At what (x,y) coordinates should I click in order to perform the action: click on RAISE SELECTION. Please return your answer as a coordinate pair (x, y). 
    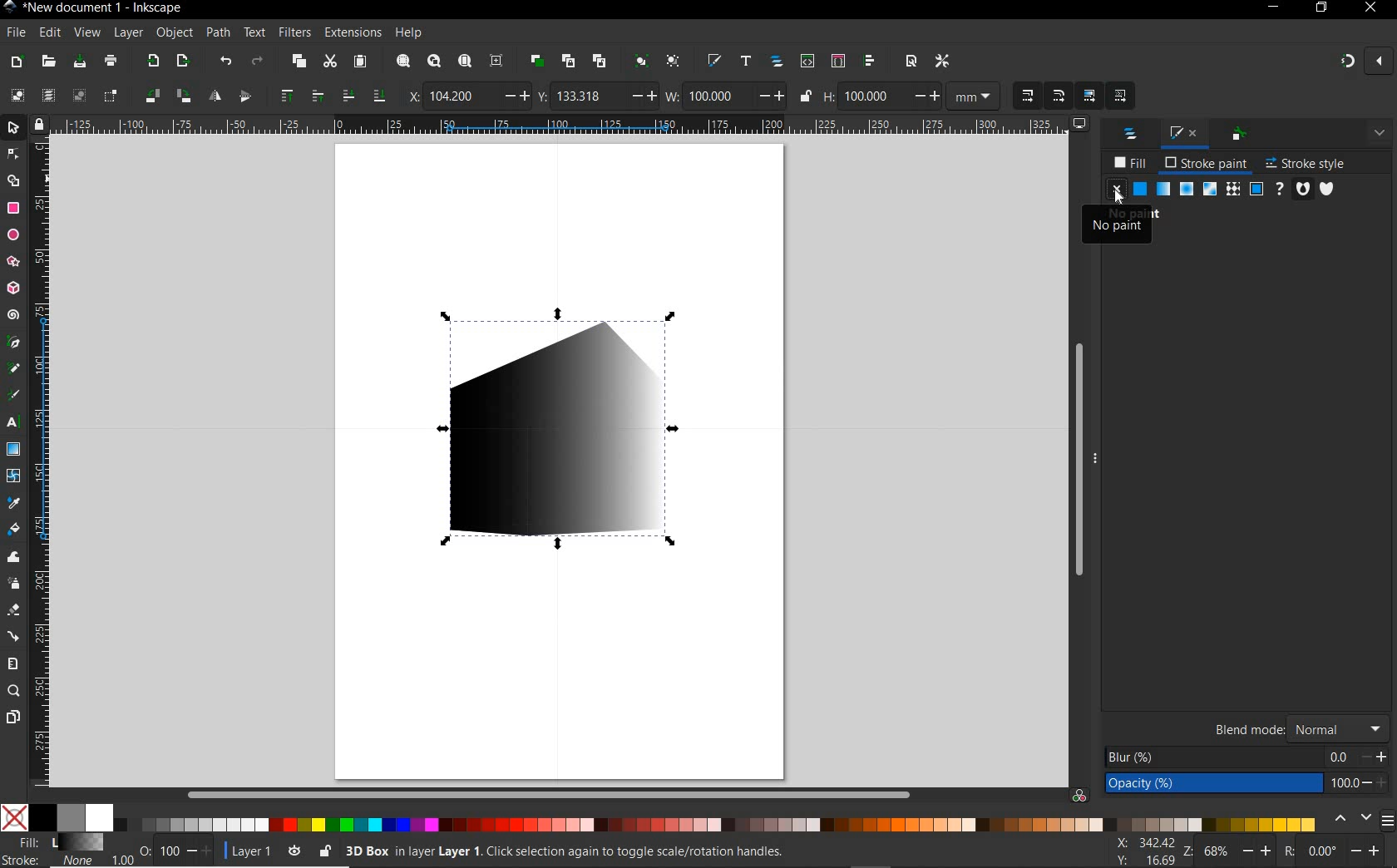
    Looking at the image, I should click on (317, 95).